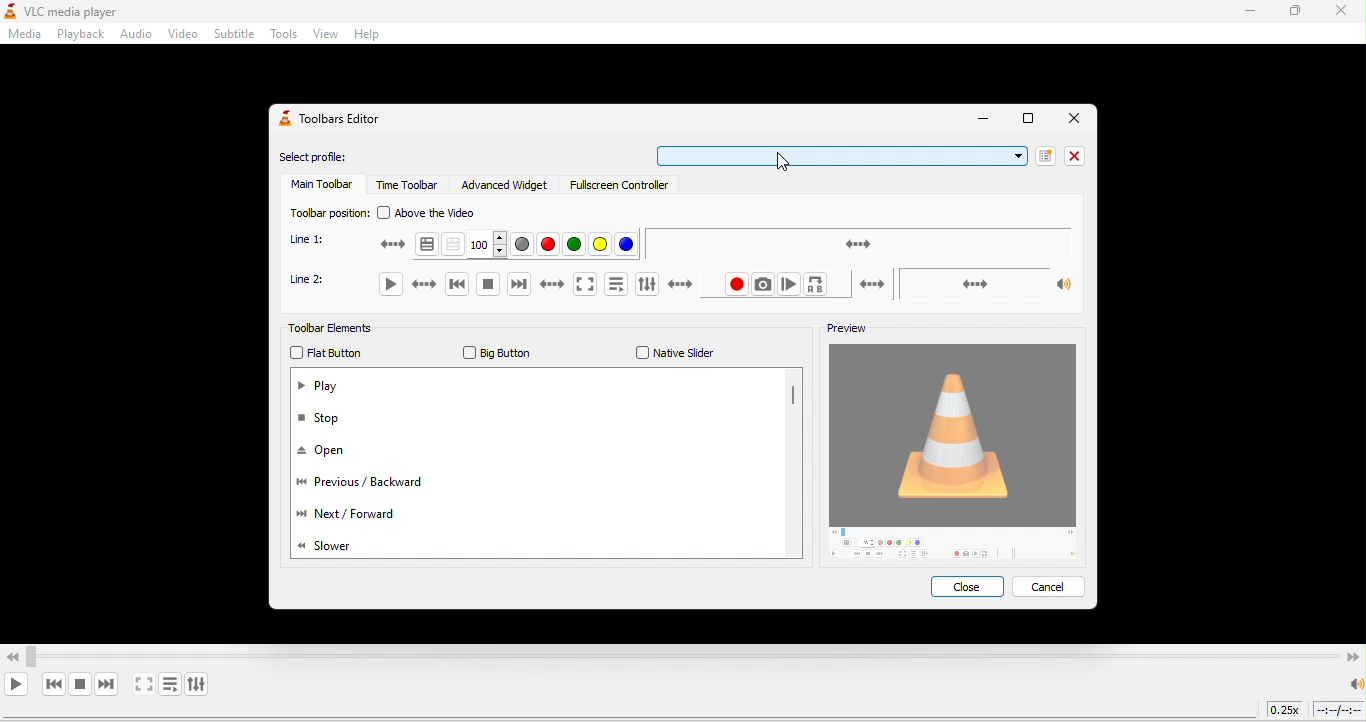  I want to click on stop playback, so click(79, 684).